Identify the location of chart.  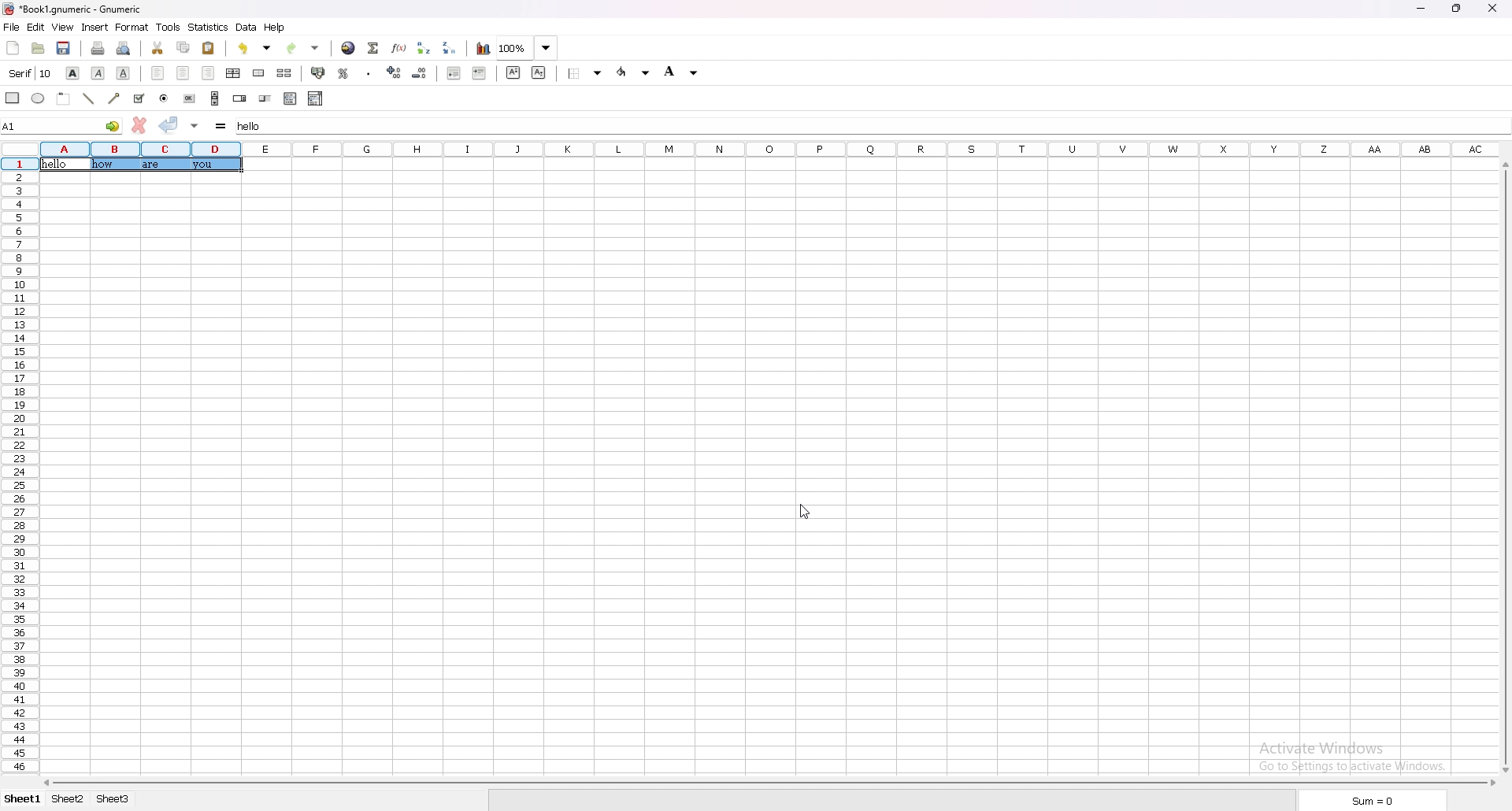
(484, 48).